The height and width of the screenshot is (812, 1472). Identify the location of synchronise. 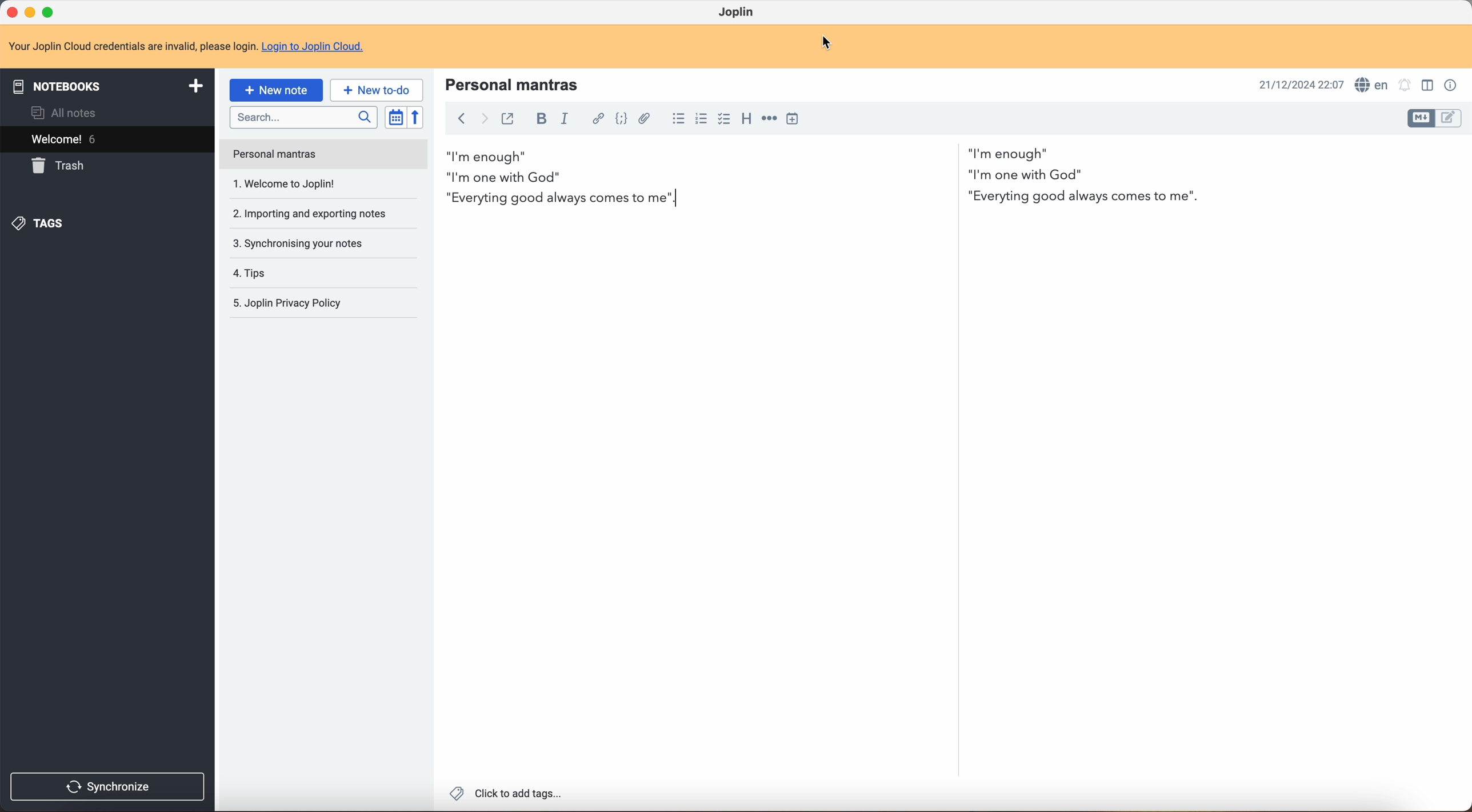
(111, 786).